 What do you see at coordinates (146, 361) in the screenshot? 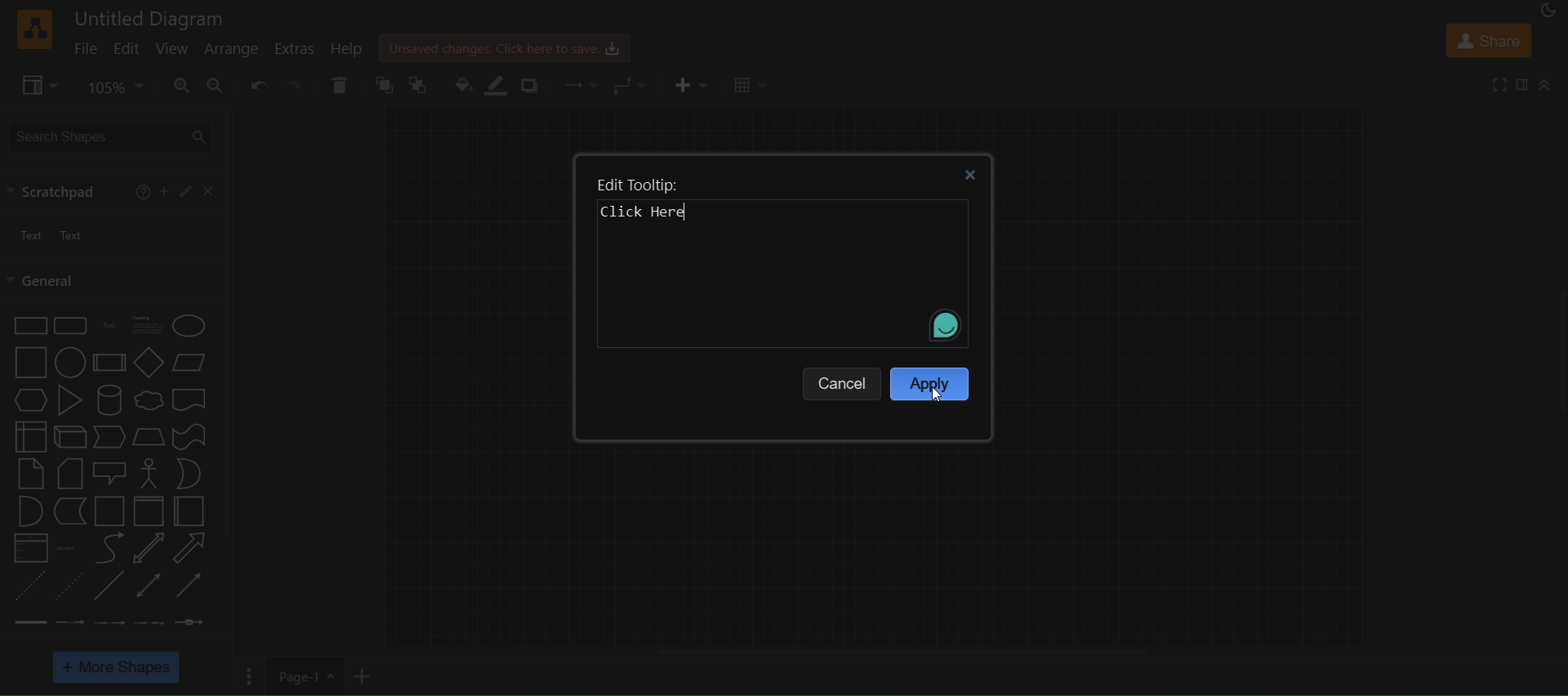
I see `diamond` at bounding box center [146, 361].